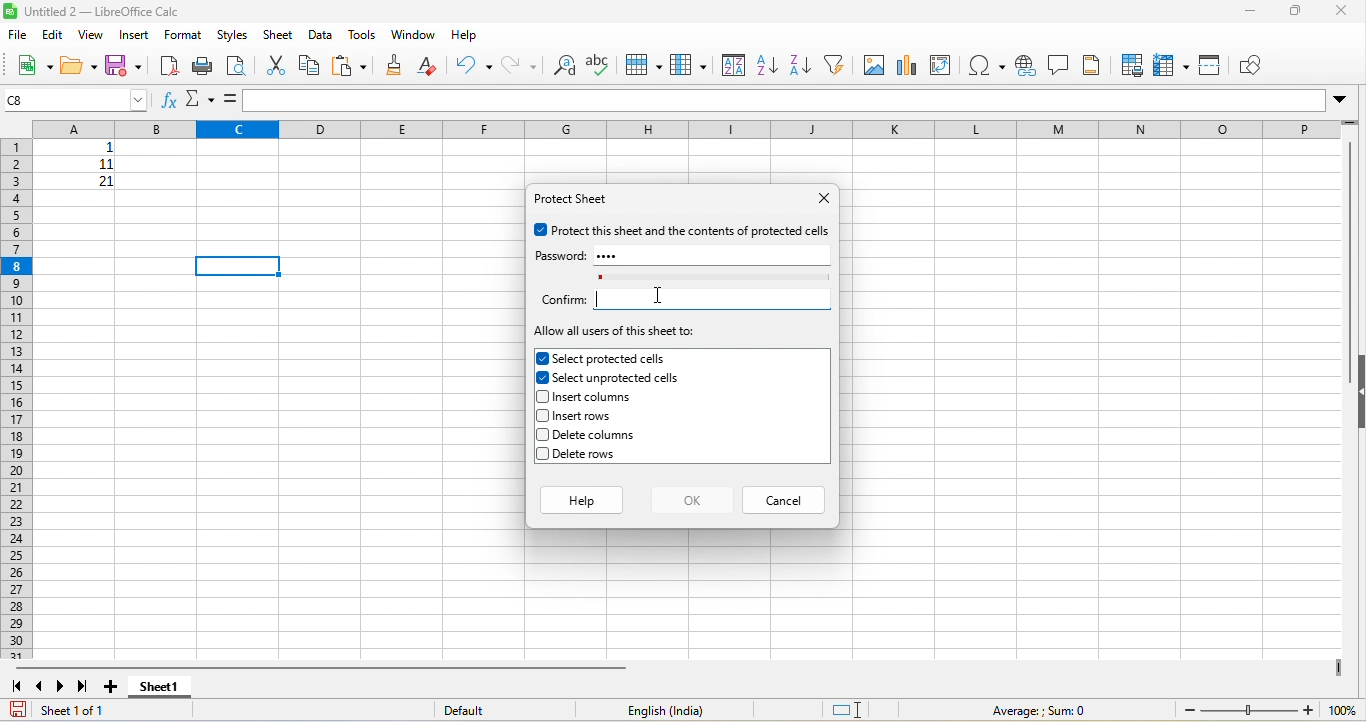 Image resolution: width=1366 pixels, height=722 pixels. What do you see at coordinates (1059, 64) in the screenshot?
I see `comments` at bounding box center [1059, 64].